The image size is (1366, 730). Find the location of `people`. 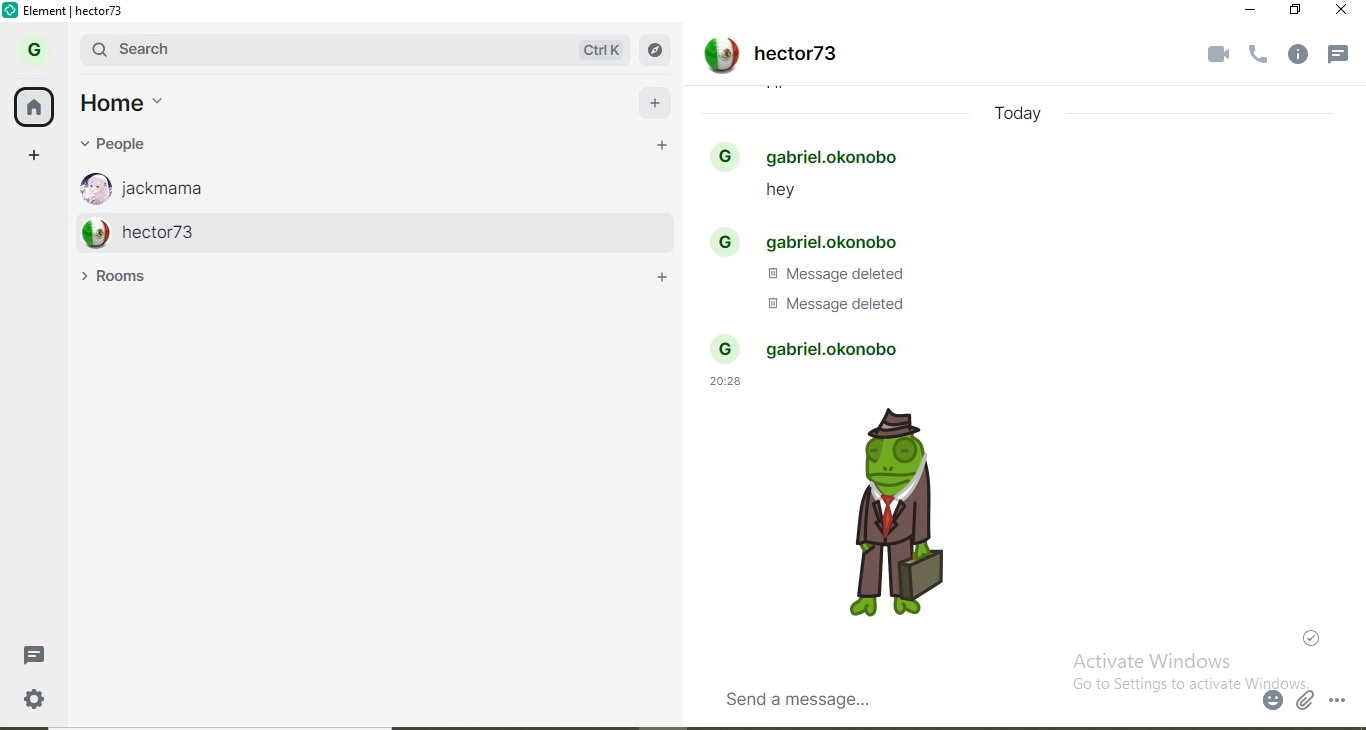

people is located at coordinates (823, 154).